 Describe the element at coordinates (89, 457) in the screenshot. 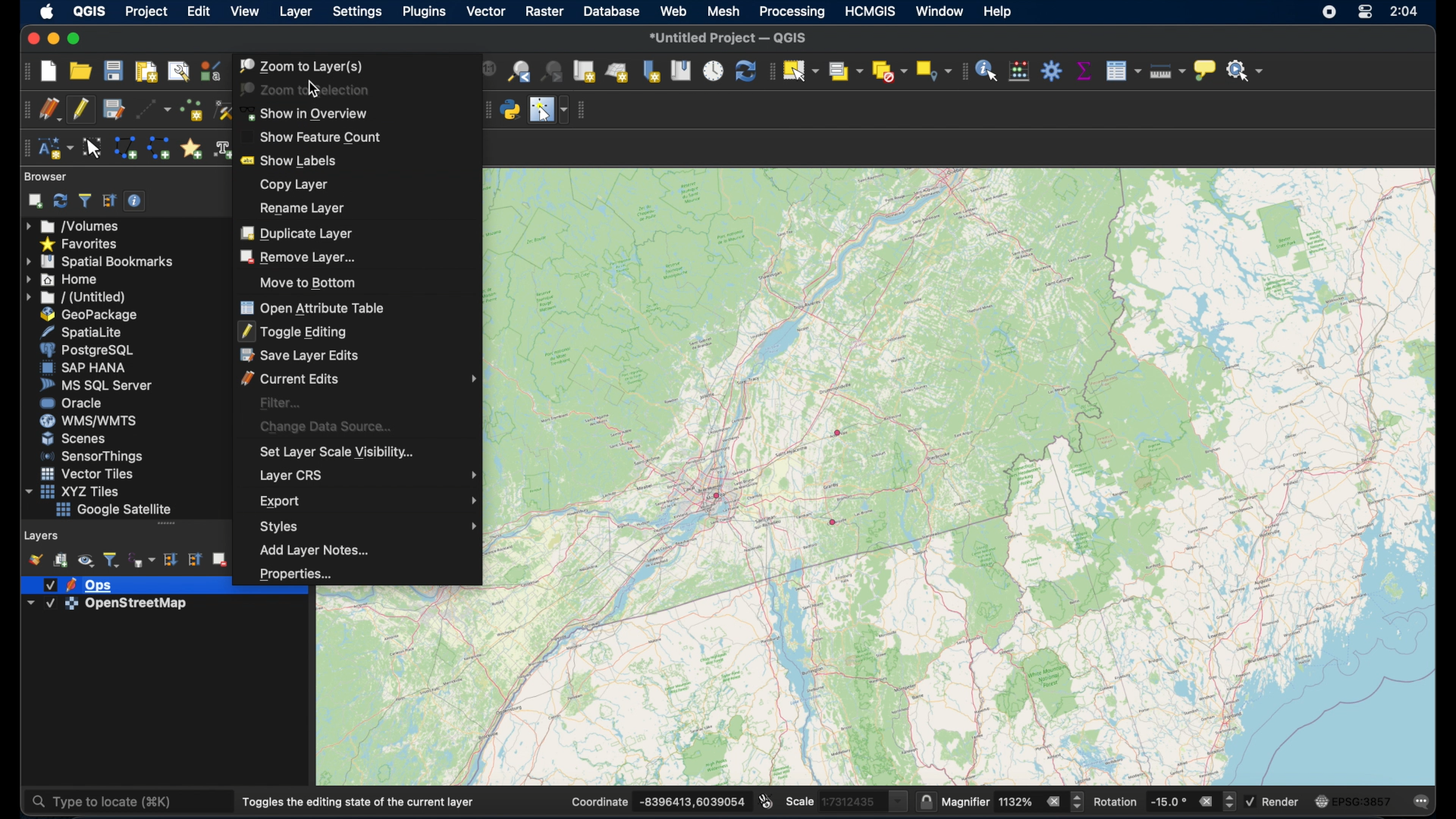

I see `sensor things` at that location.